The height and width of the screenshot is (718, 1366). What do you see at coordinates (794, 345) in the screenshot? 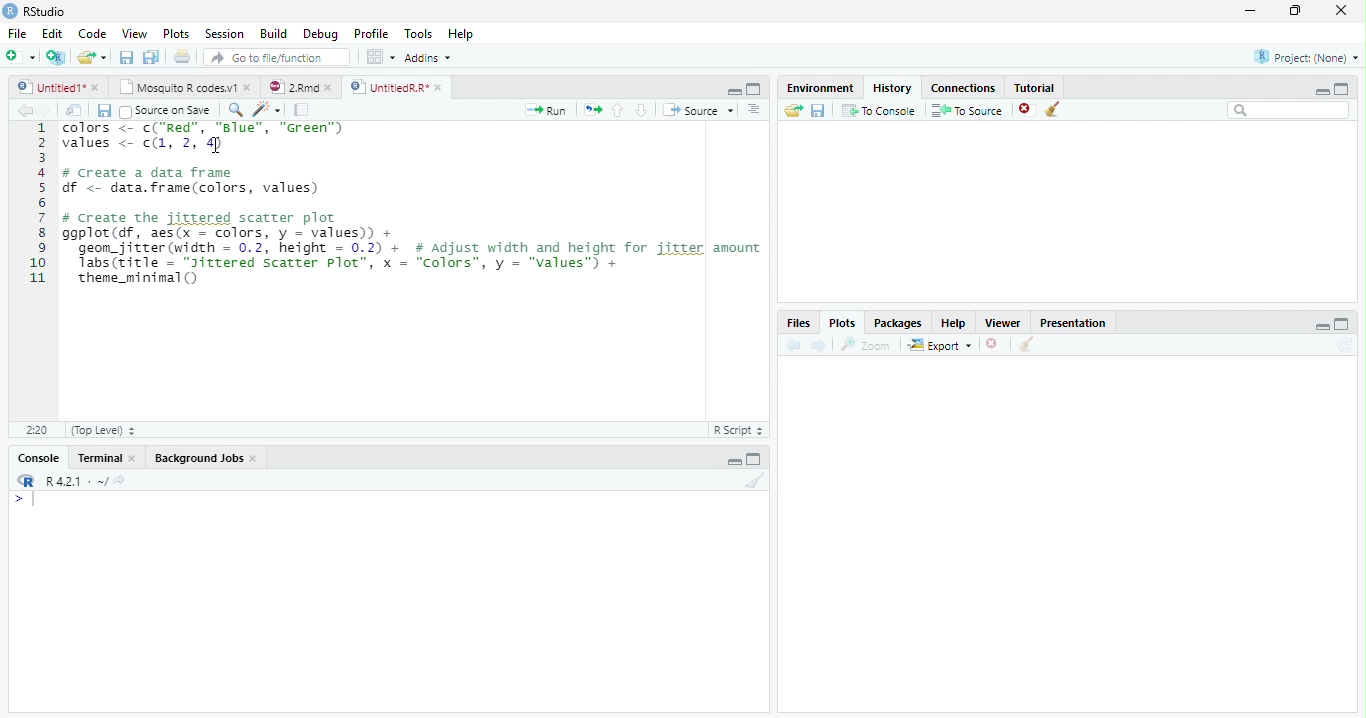
I see `Previous plot` at bounding box center [794, 345].